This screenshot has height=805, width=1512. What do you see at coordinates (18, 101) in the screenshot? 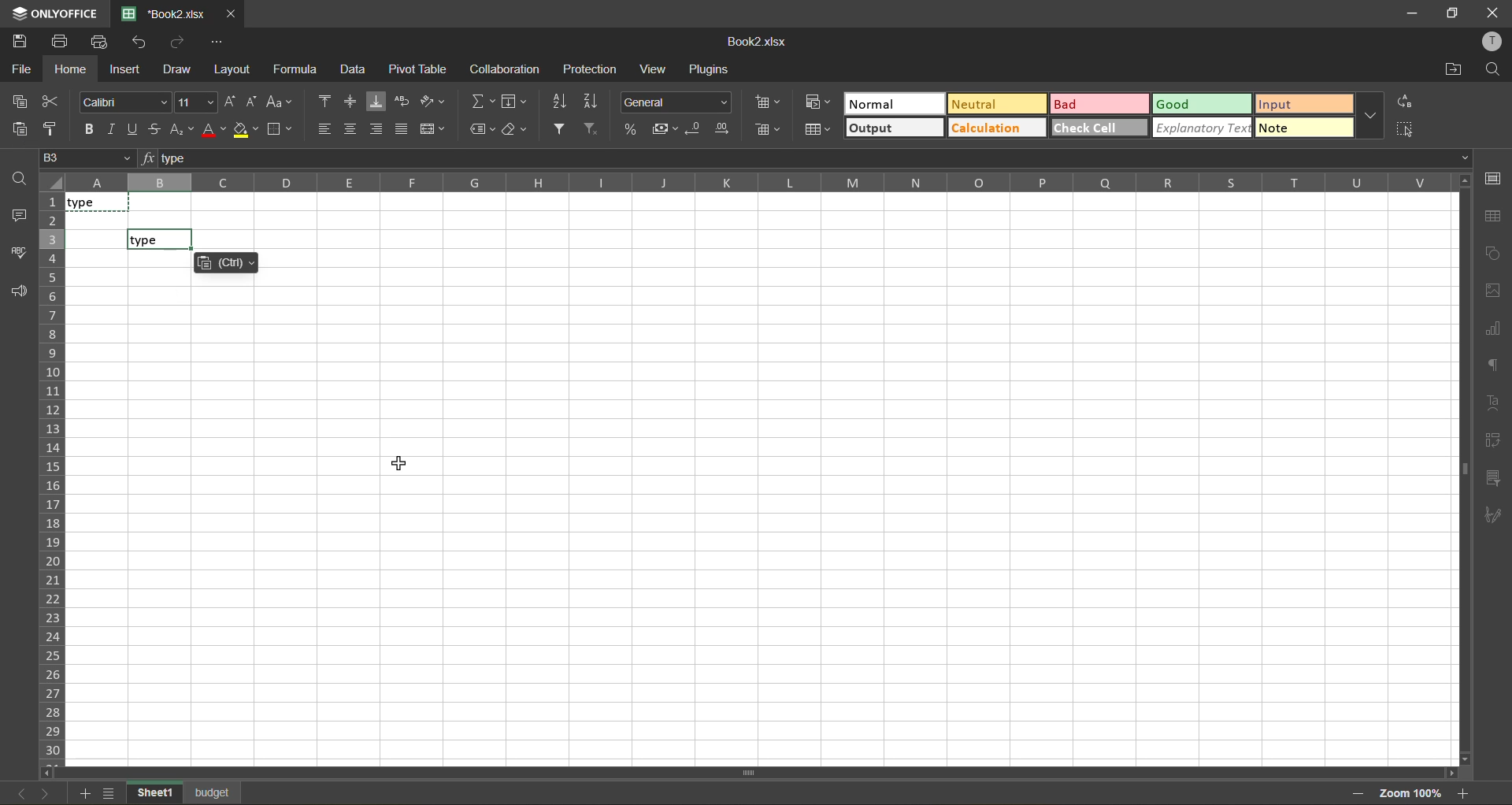
I see `copy` at bounding box center [18, 101].